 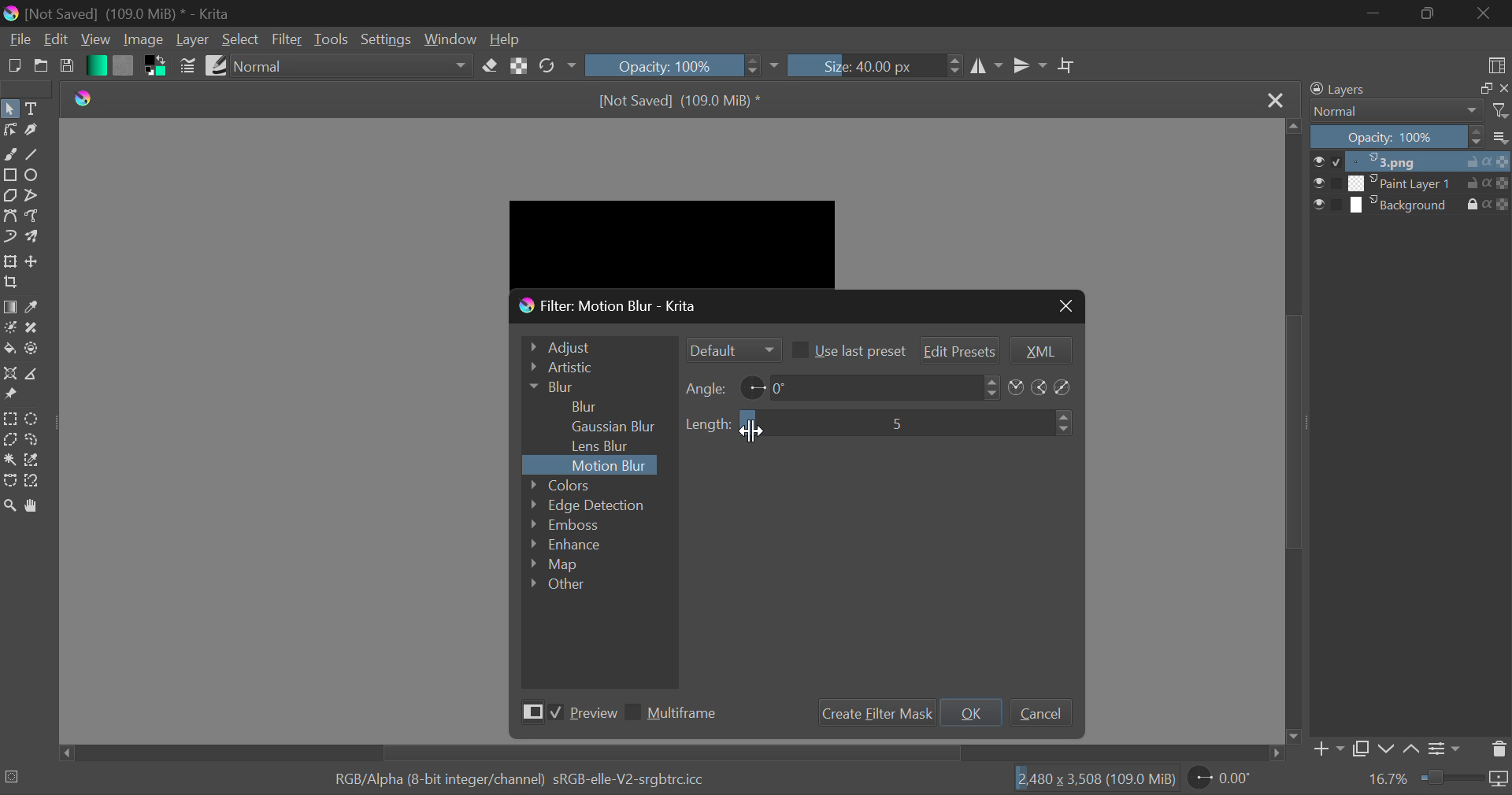 What do you see at coordinates (595, 368) in the screenshot?
I see `Artistic` at bounding box center [595, 368].